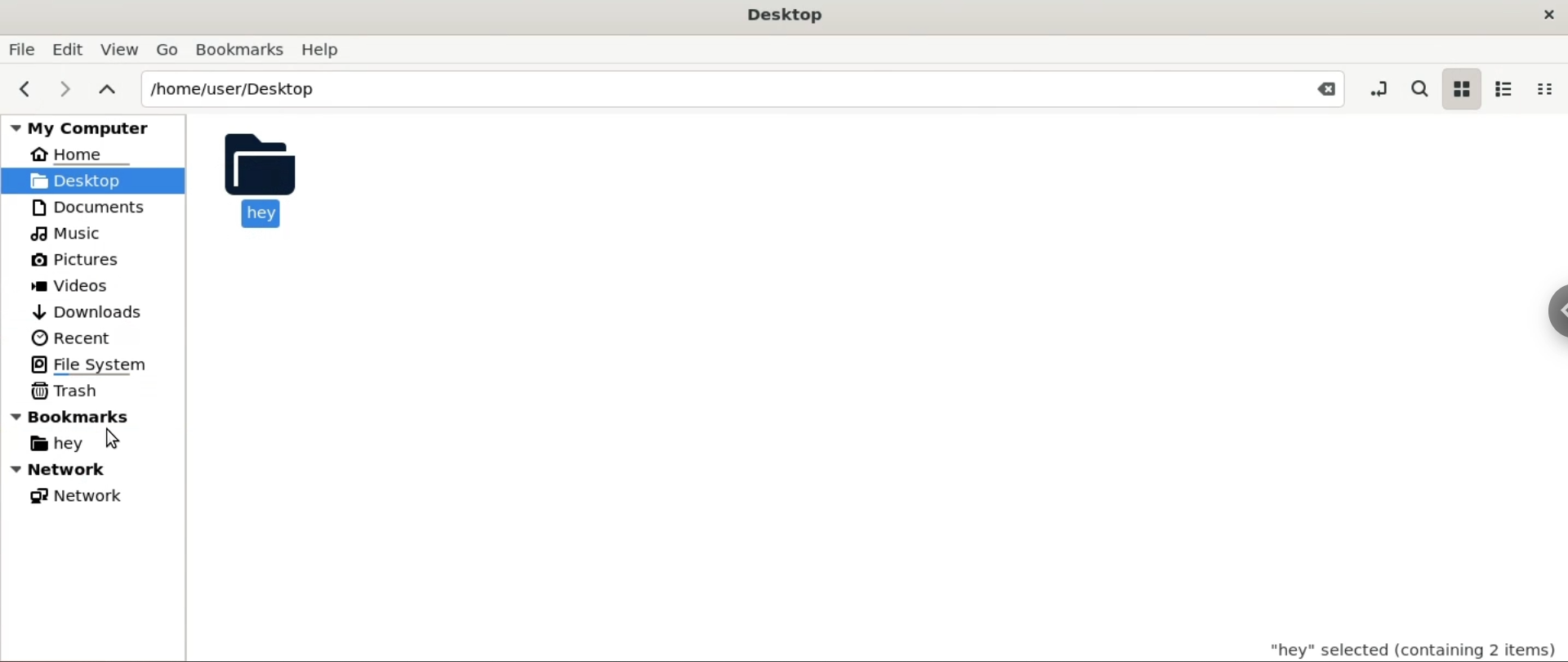  I want to click on Downloads, so click(88, 311).